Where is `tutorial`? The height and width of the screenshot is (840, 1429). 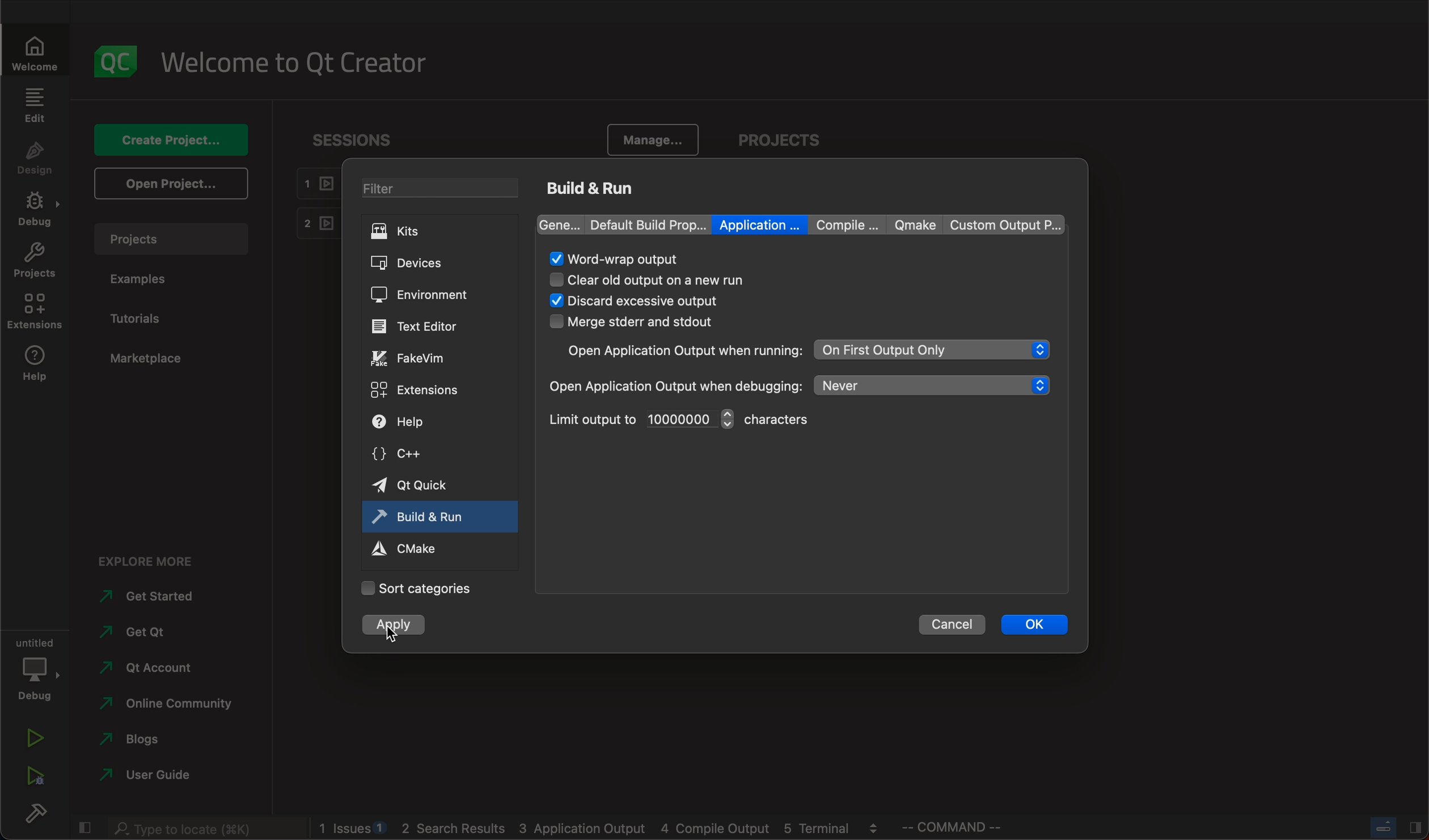
tutorial is located at coordinates (139, 317).